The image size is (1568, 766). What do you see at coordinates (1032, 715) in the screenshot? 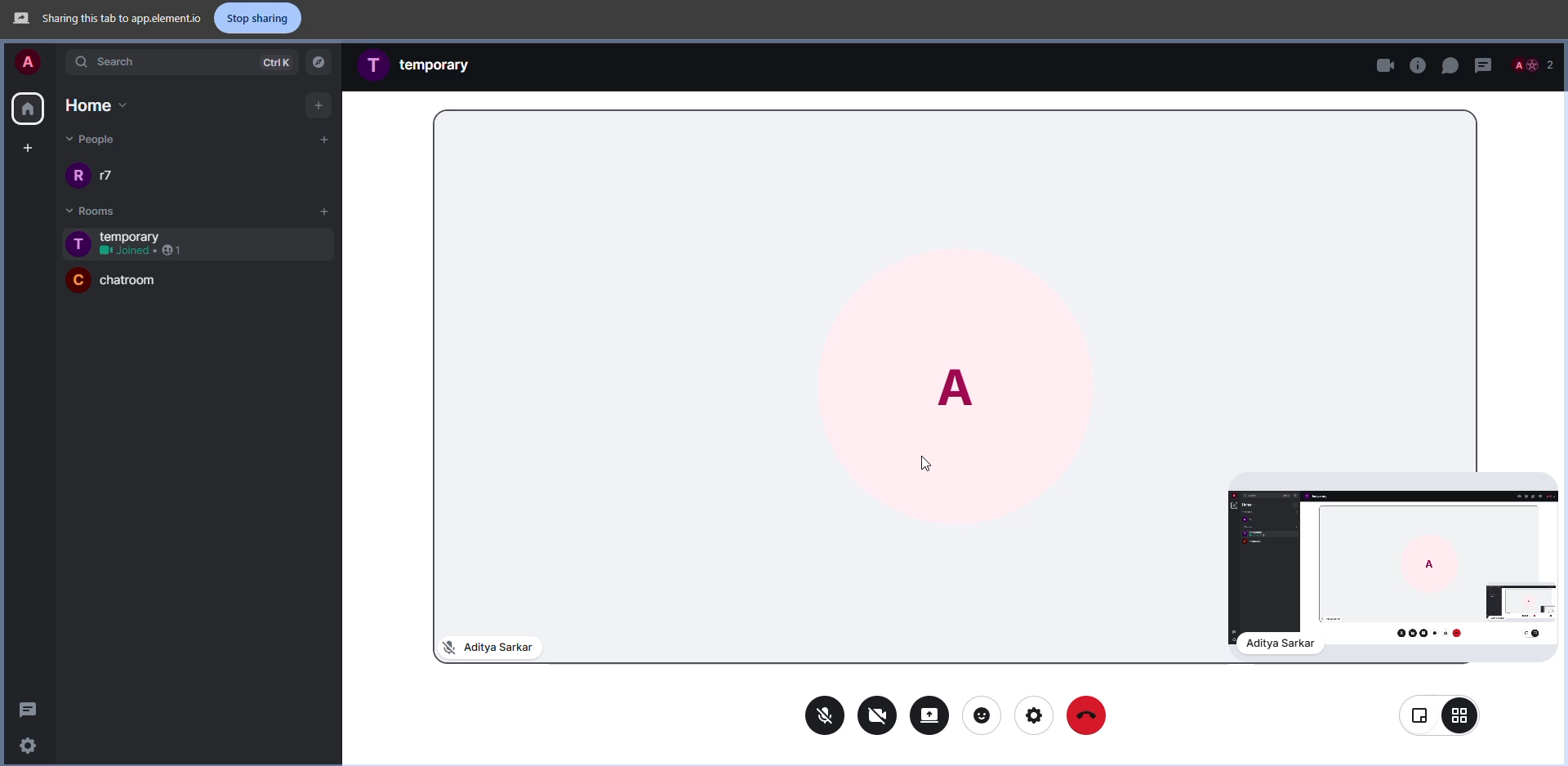
I see `settings` at bounding box center [1032, 715].